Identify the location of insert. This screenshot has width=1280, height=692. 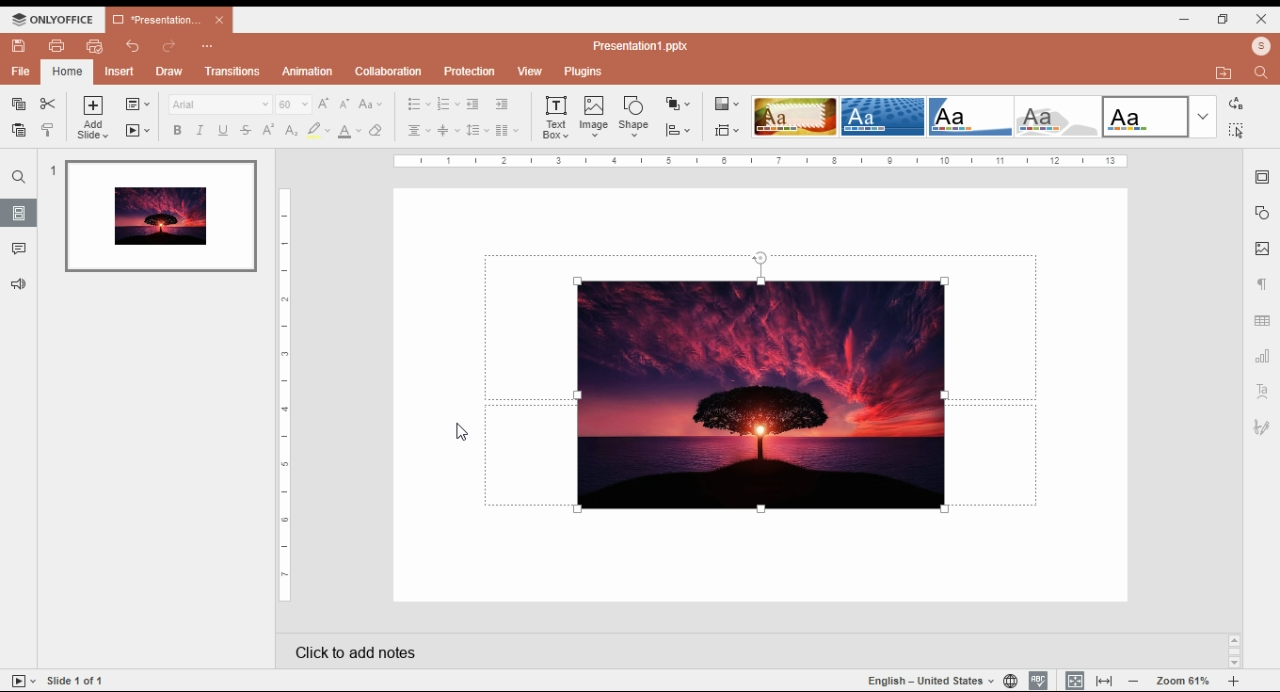
(120, 71).